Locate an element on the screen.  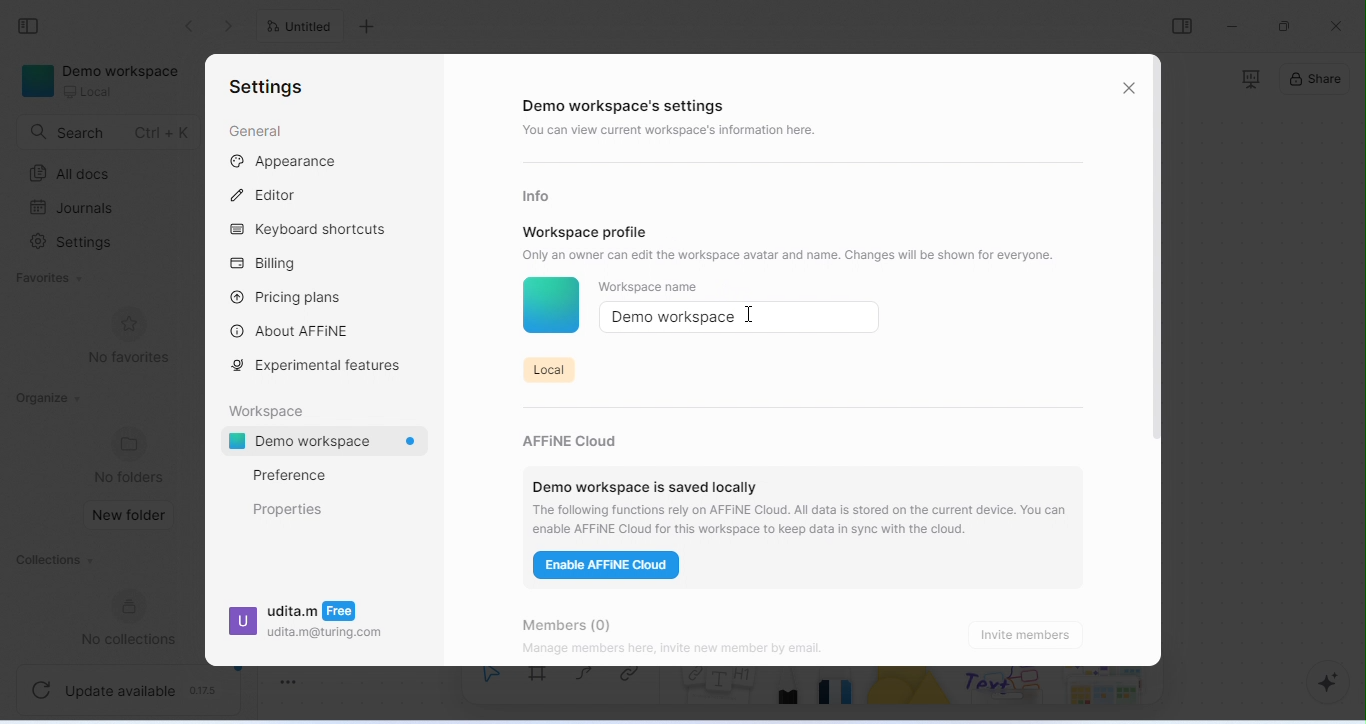
all docs is located at coordinates (75, 174).